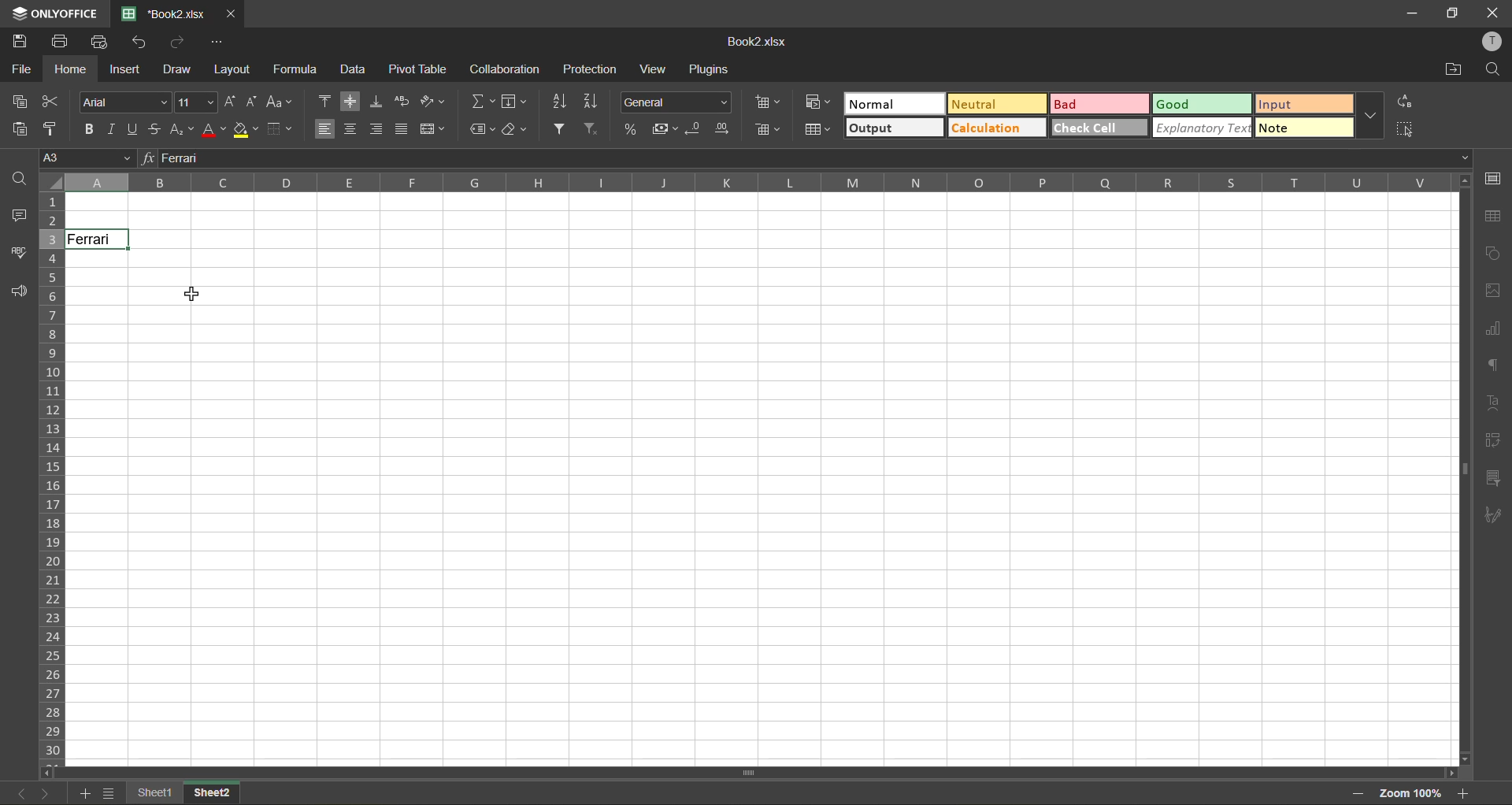 The width and height of the screenshot is (1512, 805). I want to click on Book2.xlsx, so click(754, 39).